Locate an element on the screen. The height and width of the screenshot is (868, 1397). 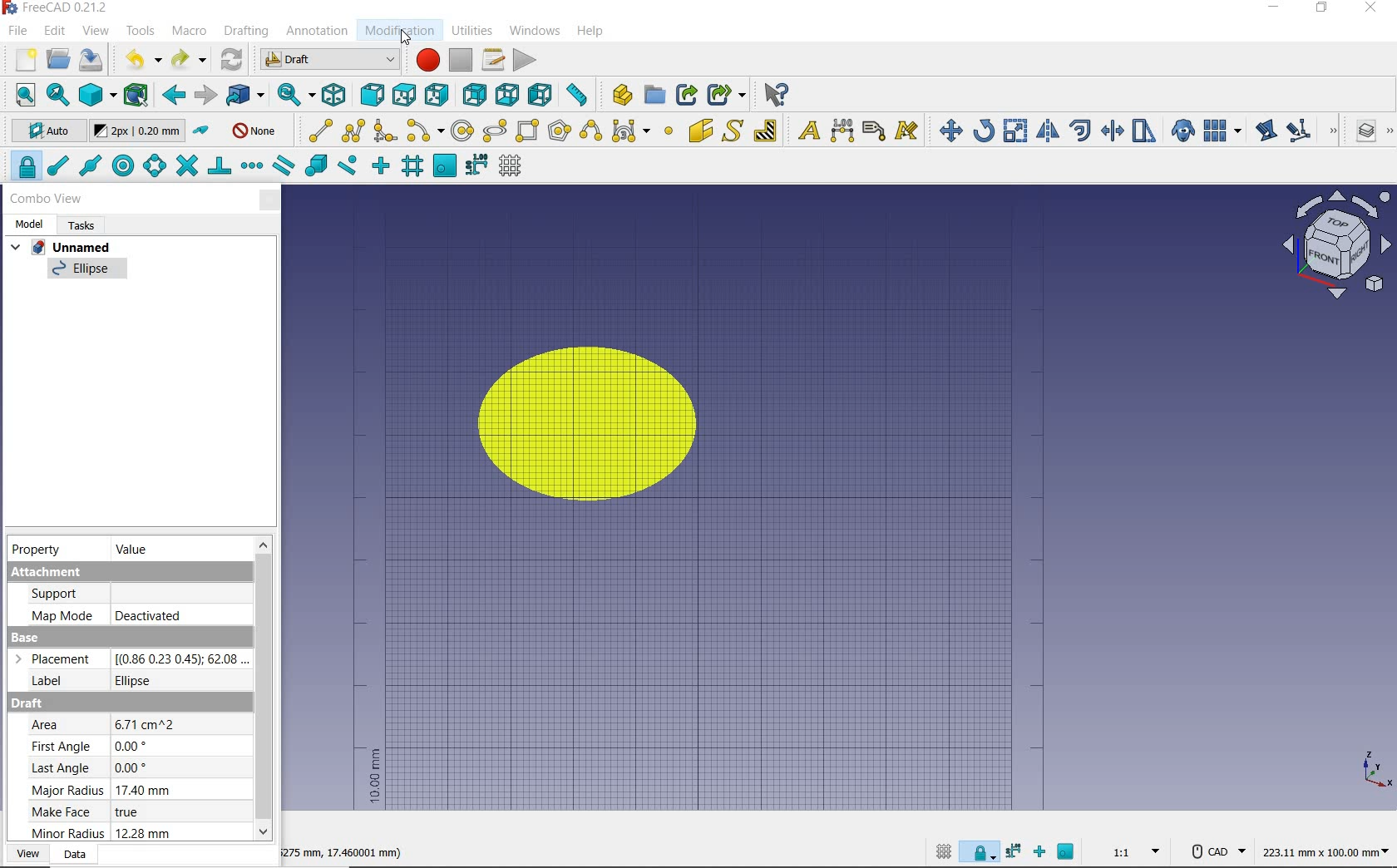
unnamed is located at coordinates (65, 246).